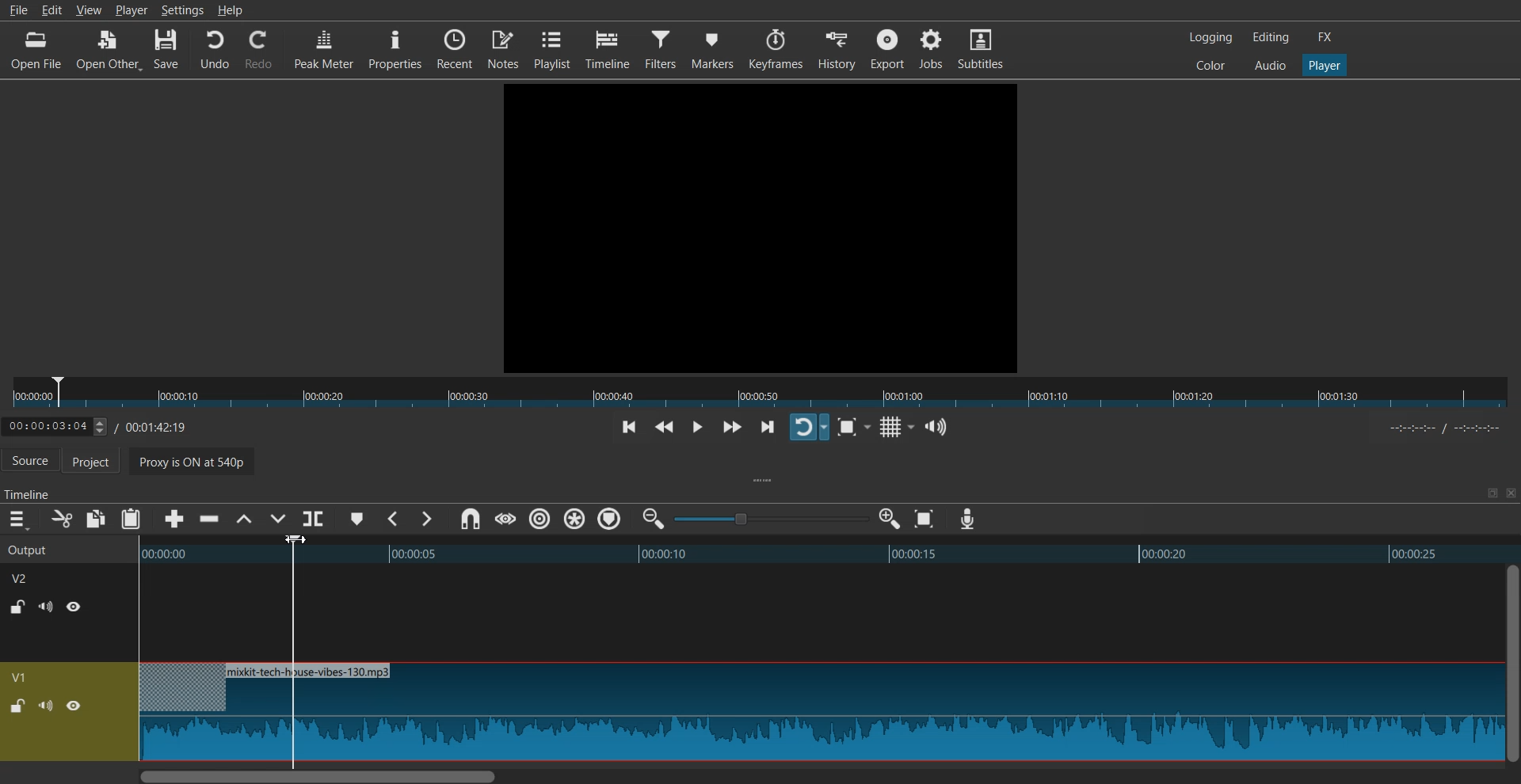 The image size is (1521, 784). What do you see at coordinates (1511, 663) in the screenshot?
I see `Vertical Scroll bar` at bounding box center [1511, 663].